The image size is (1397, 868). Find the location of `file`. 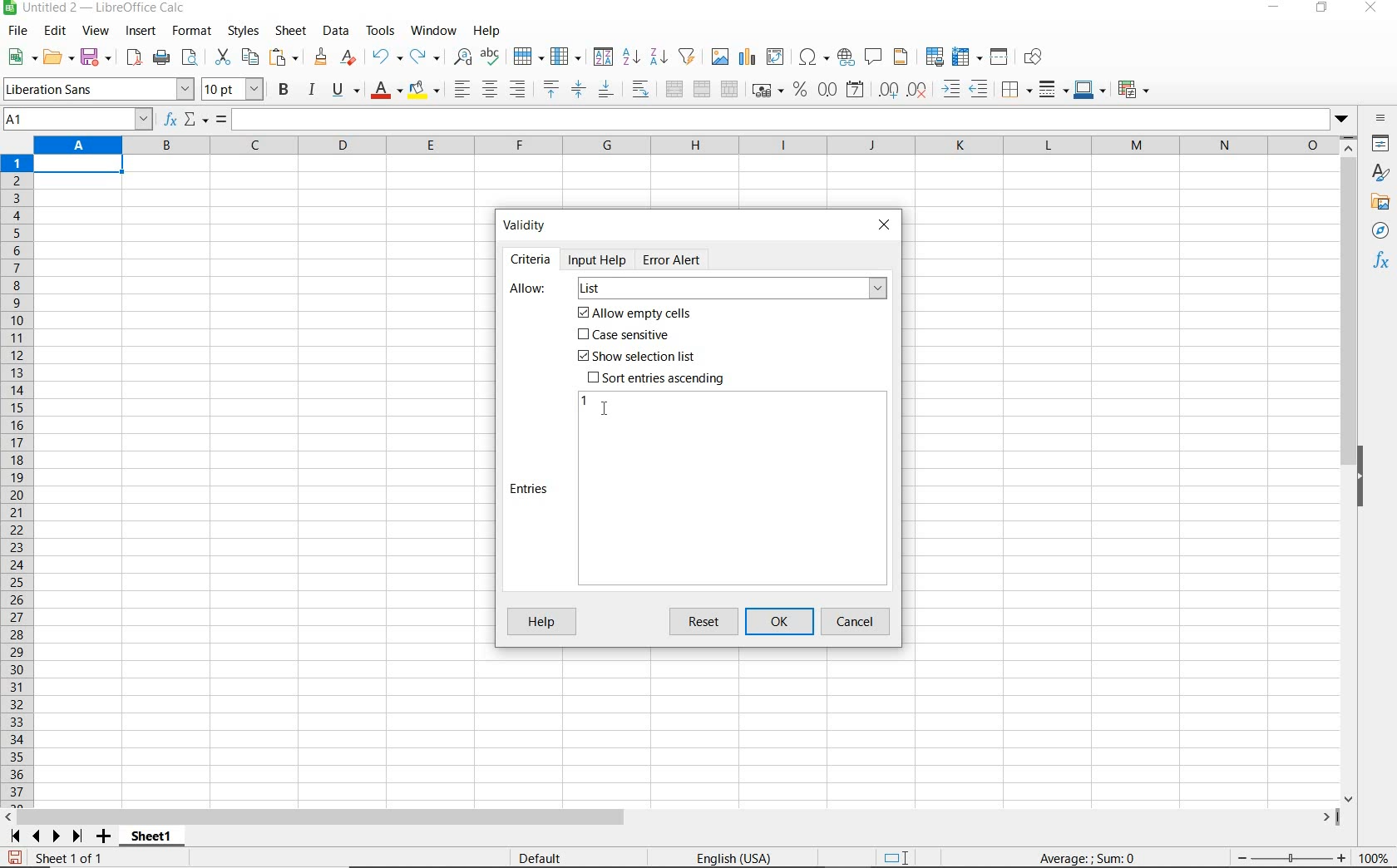

file is located at coordinates (15, 33).